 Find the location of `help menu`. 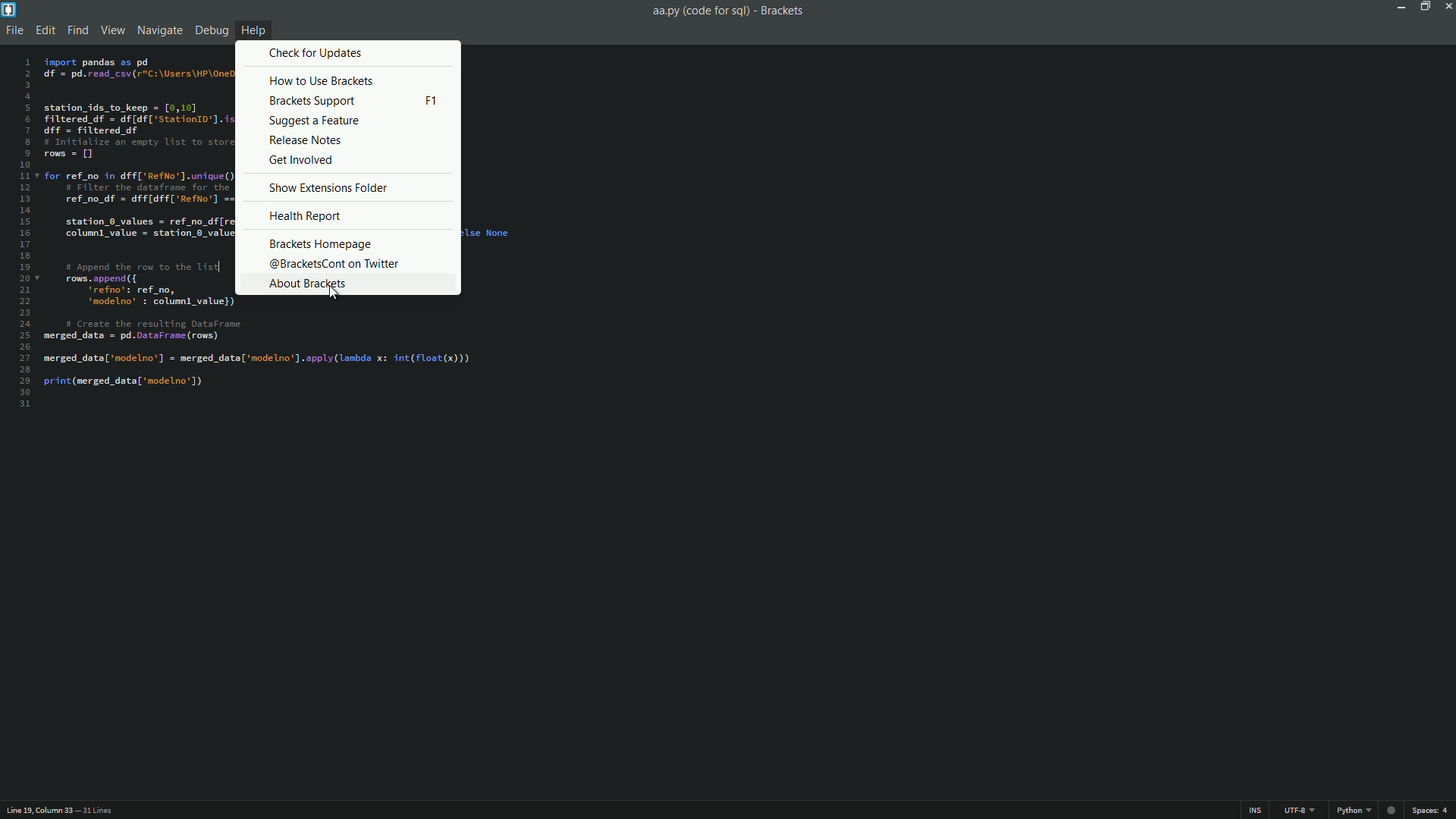

help menu is located at coordinates (253, 31).